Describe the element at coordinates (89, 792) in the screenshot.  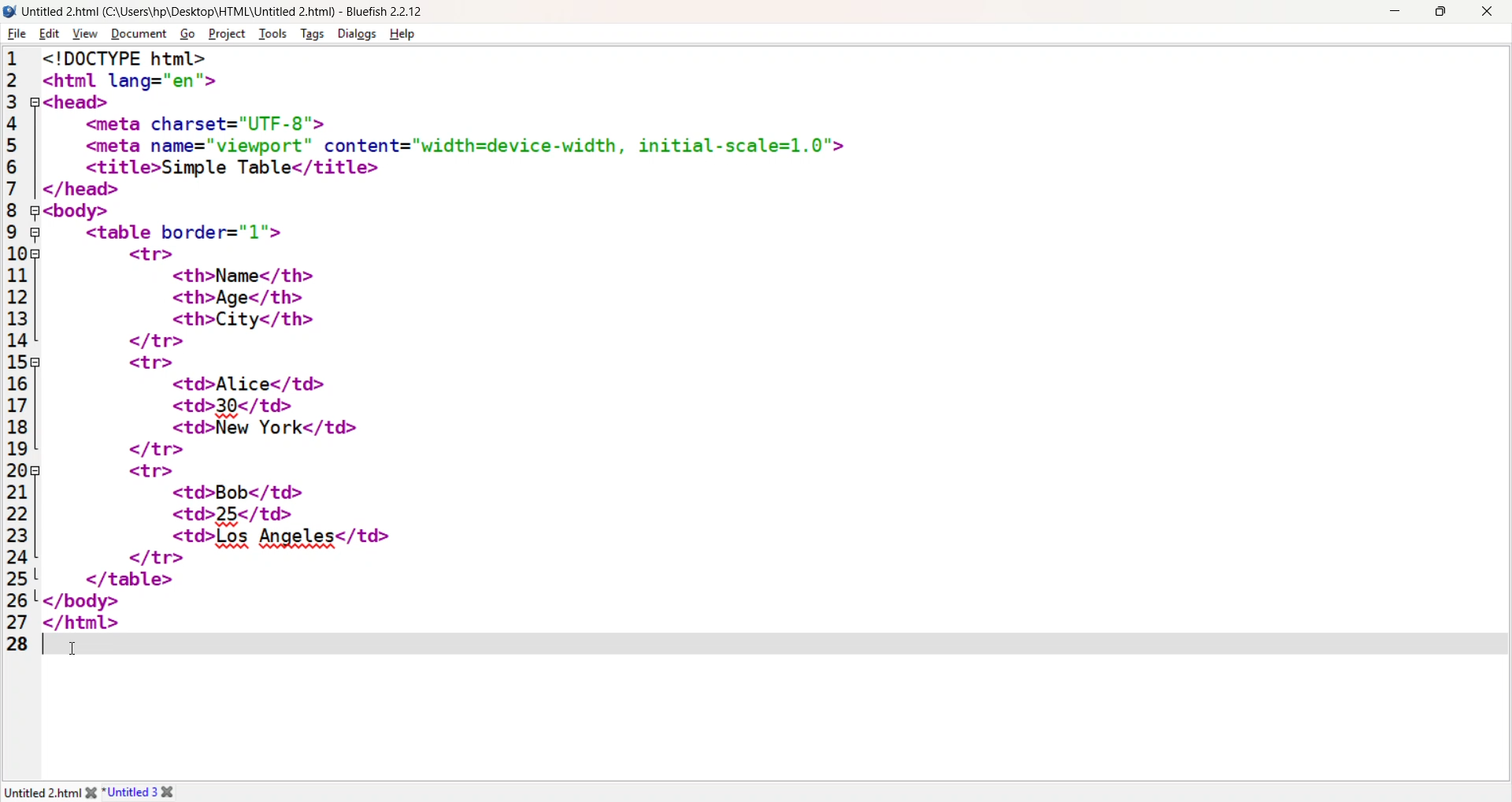
I see `close file 1` at that location.